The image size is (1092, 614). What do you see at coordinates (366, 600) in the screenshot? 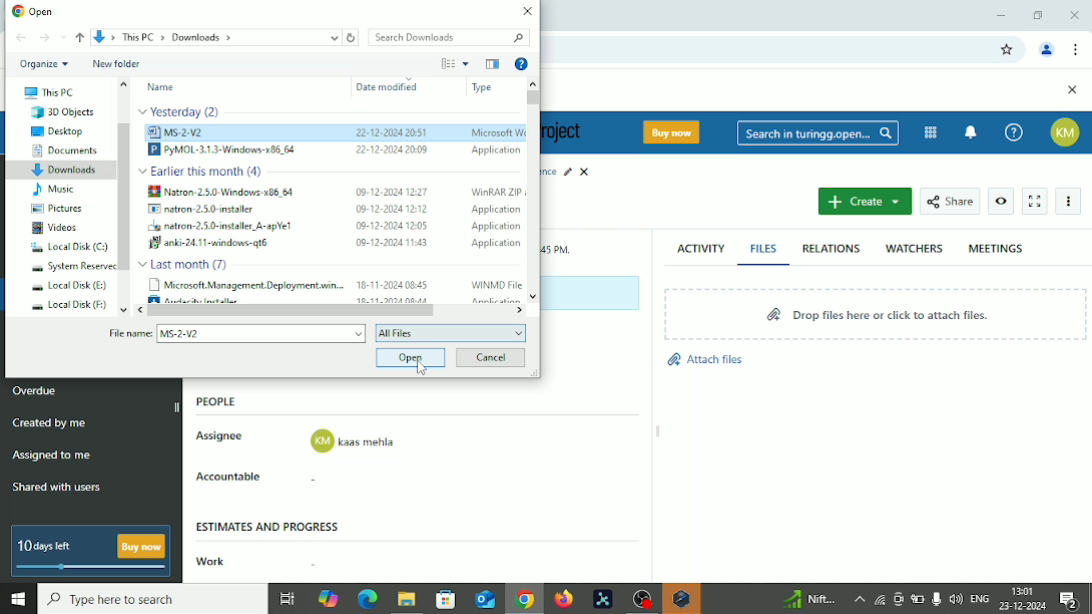
I see `Microsoft edge` at bounding box center [366, 600].